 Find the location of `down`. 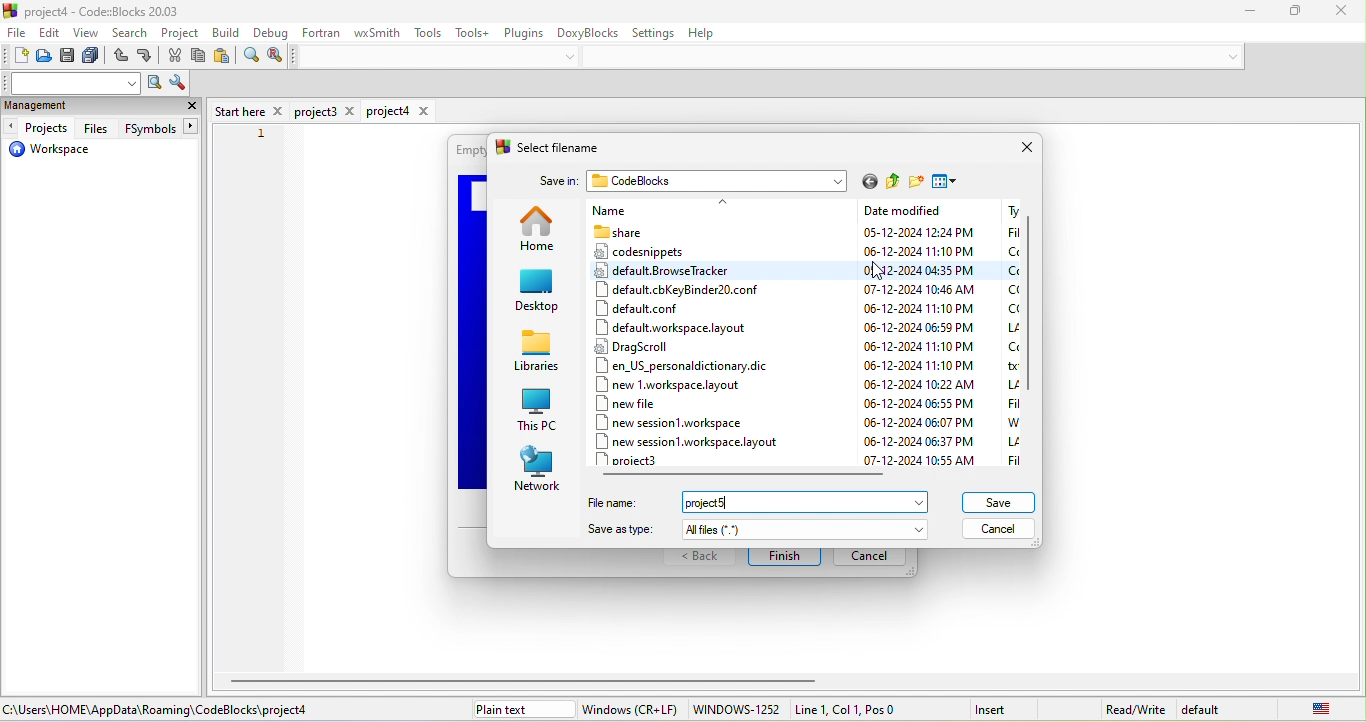

down is located at coordinates (1228, 56).